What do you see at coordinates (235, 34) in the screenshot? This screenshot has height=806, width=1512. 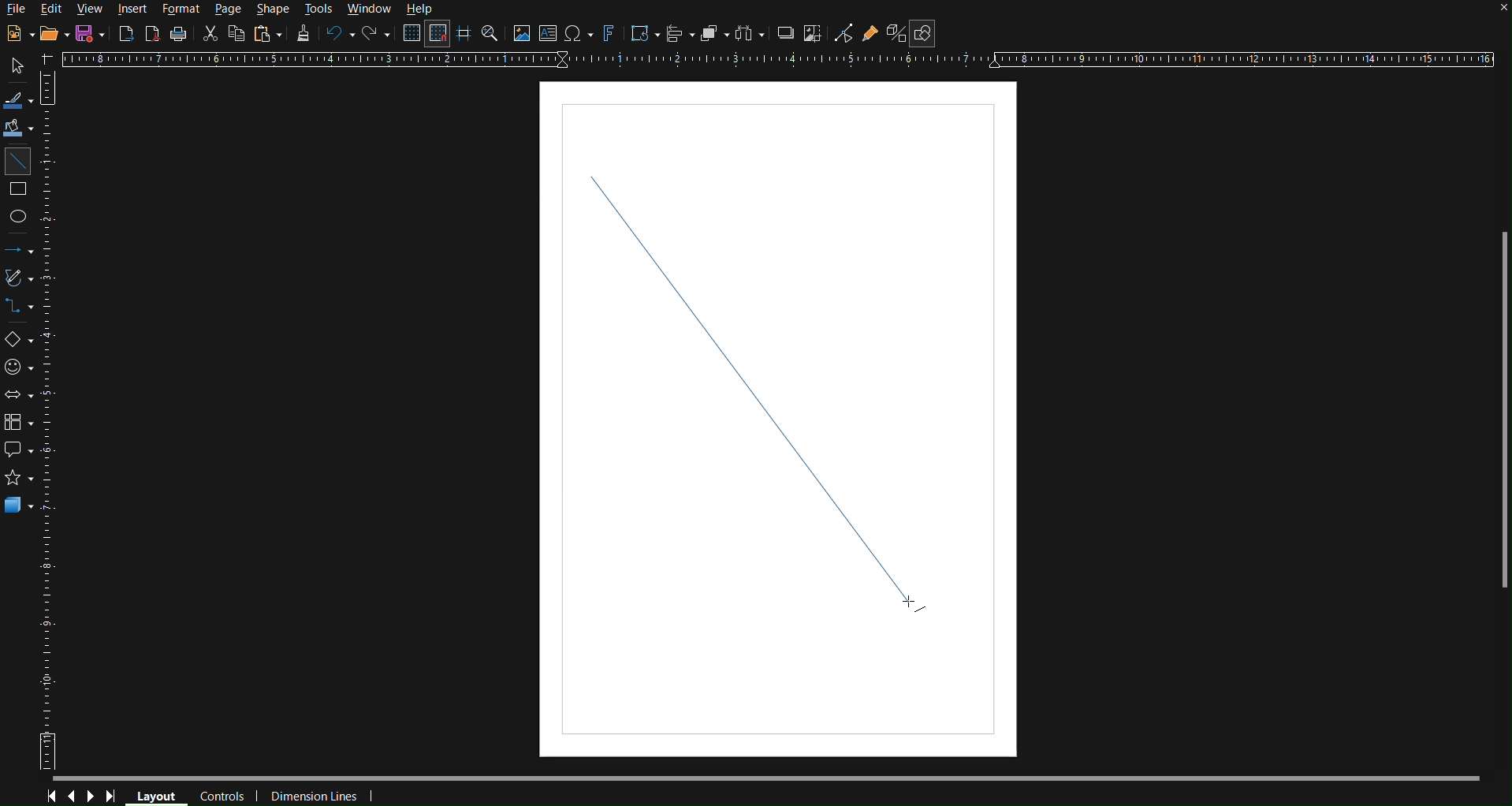 I see `Copy` at bounding box center [235, 34].